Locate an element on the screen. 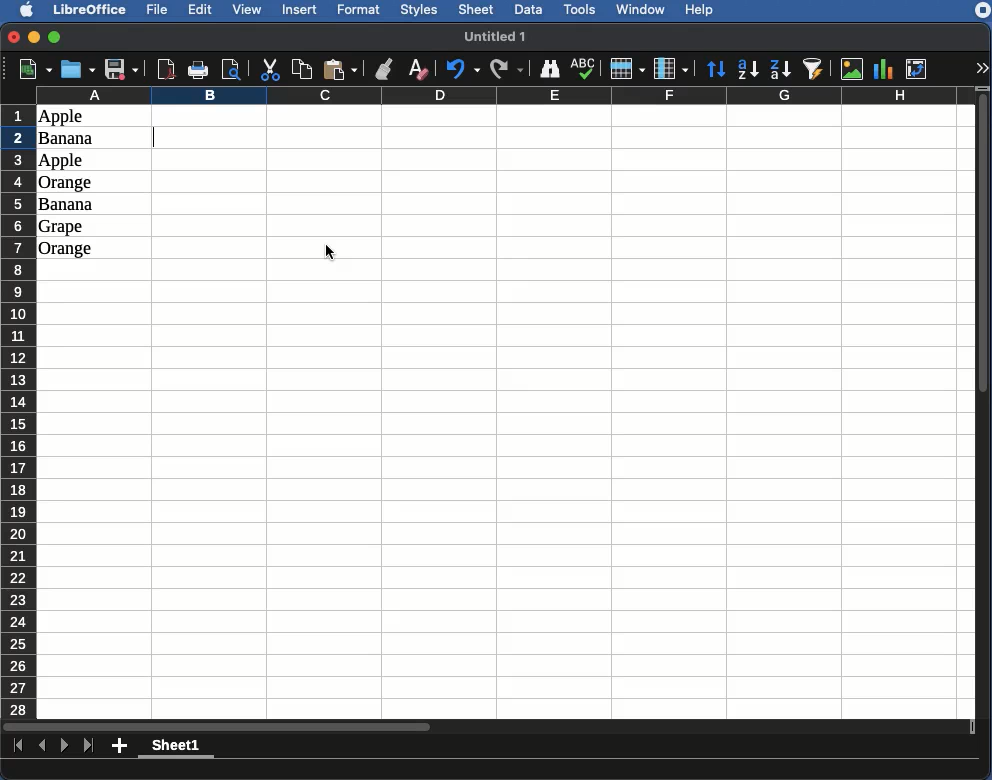 This screenshot has height=780, width=992. Maximize is located at coordinates (55, 36).